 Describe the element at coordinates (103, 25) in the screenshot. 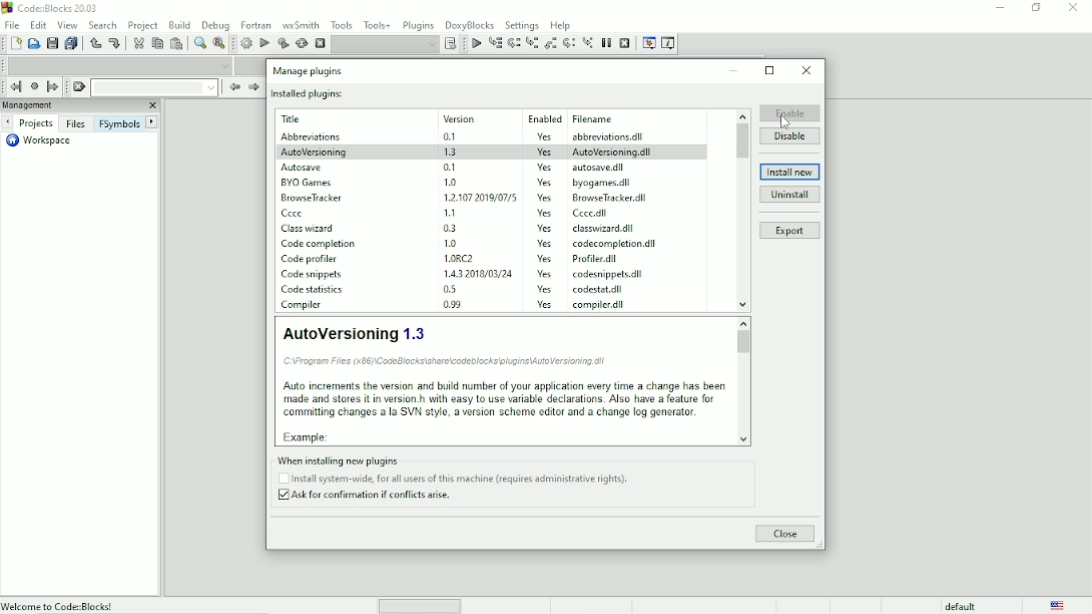

I see `Search` at that location.